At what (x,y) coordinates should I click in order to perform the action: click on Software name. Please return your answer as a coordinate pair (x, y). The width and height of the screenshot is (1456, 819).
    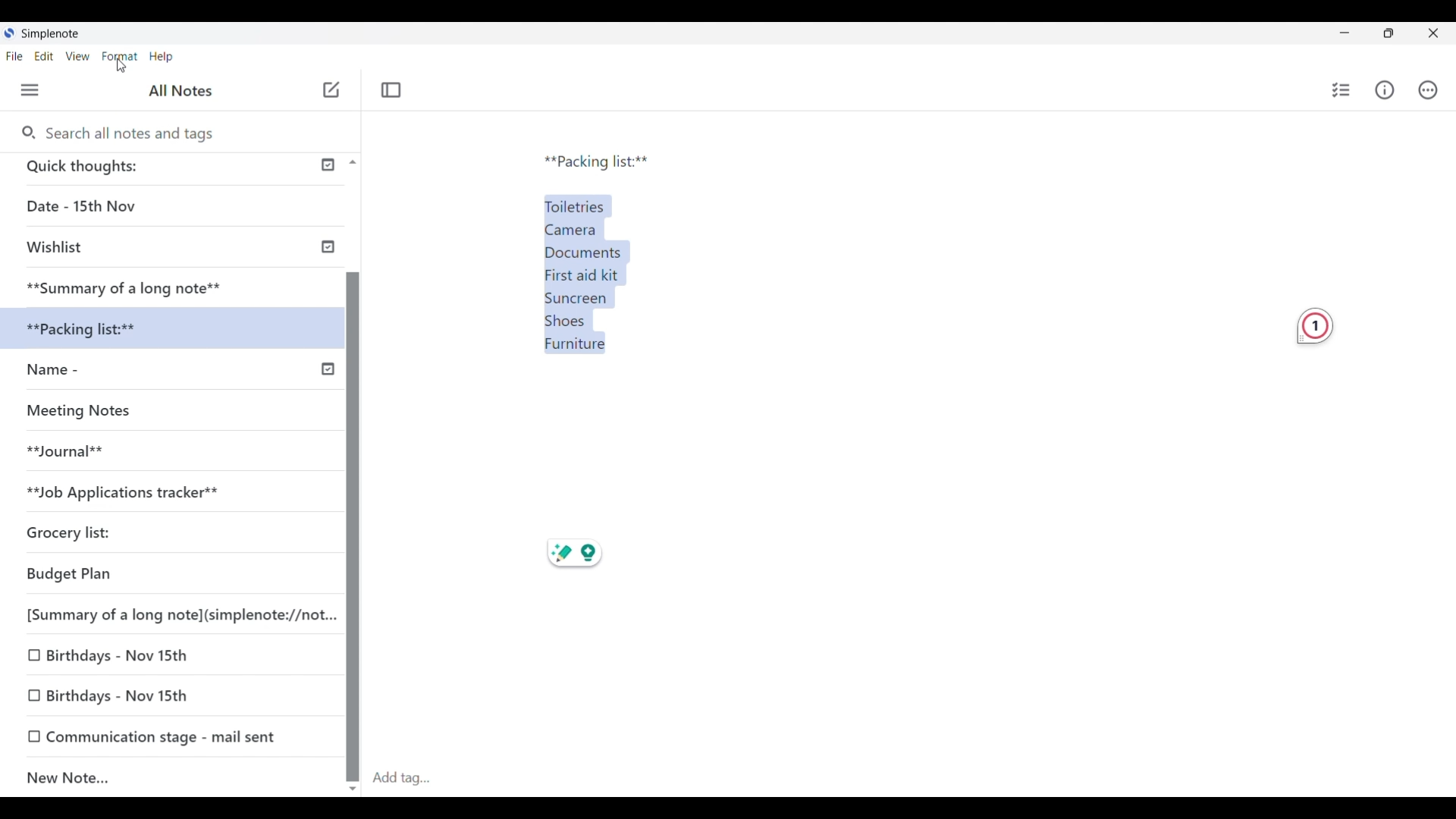
    Looking at the image, I should click on (52, 34).